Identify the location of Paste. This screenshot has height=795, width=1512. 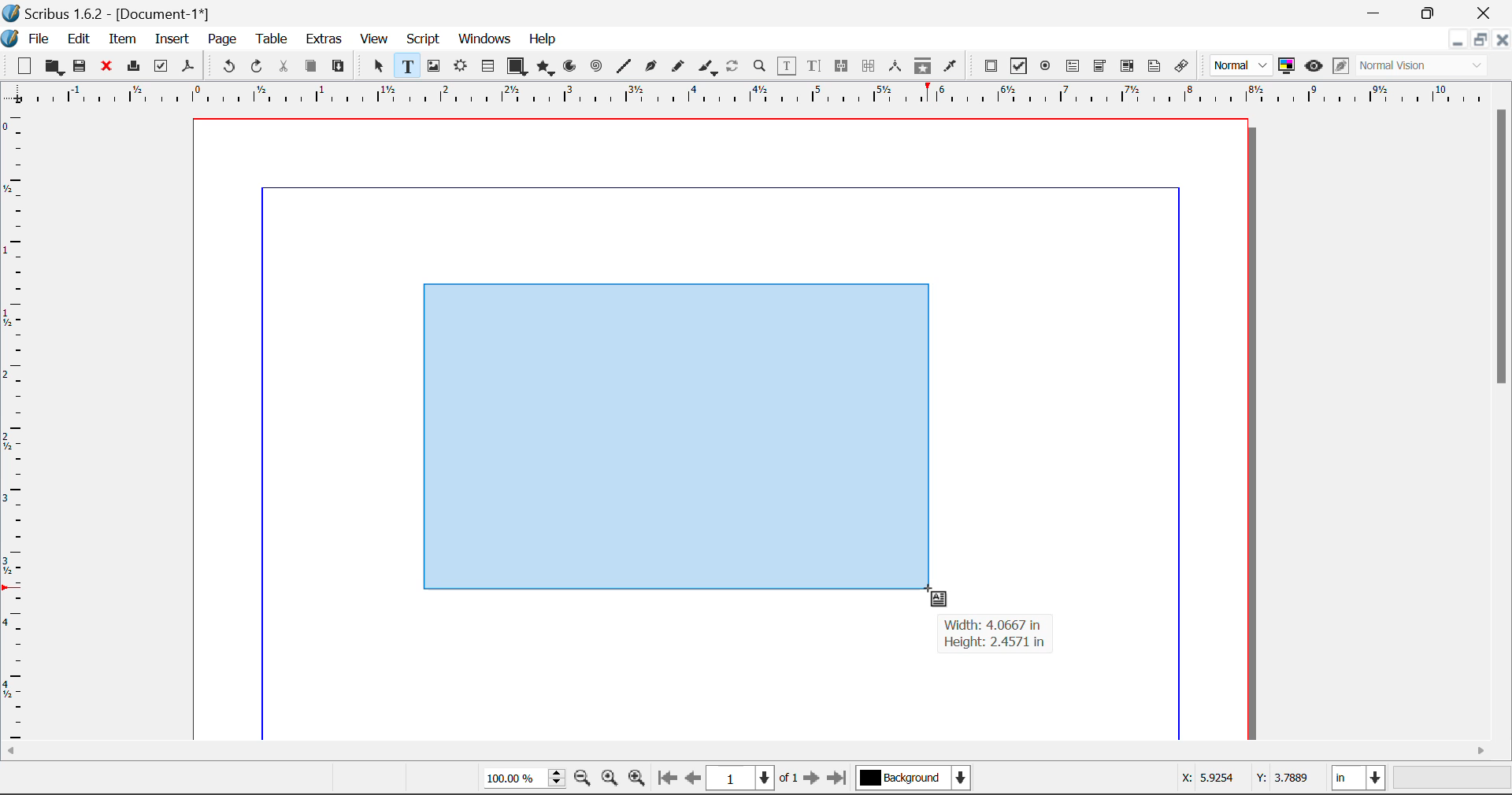
(339, 67).